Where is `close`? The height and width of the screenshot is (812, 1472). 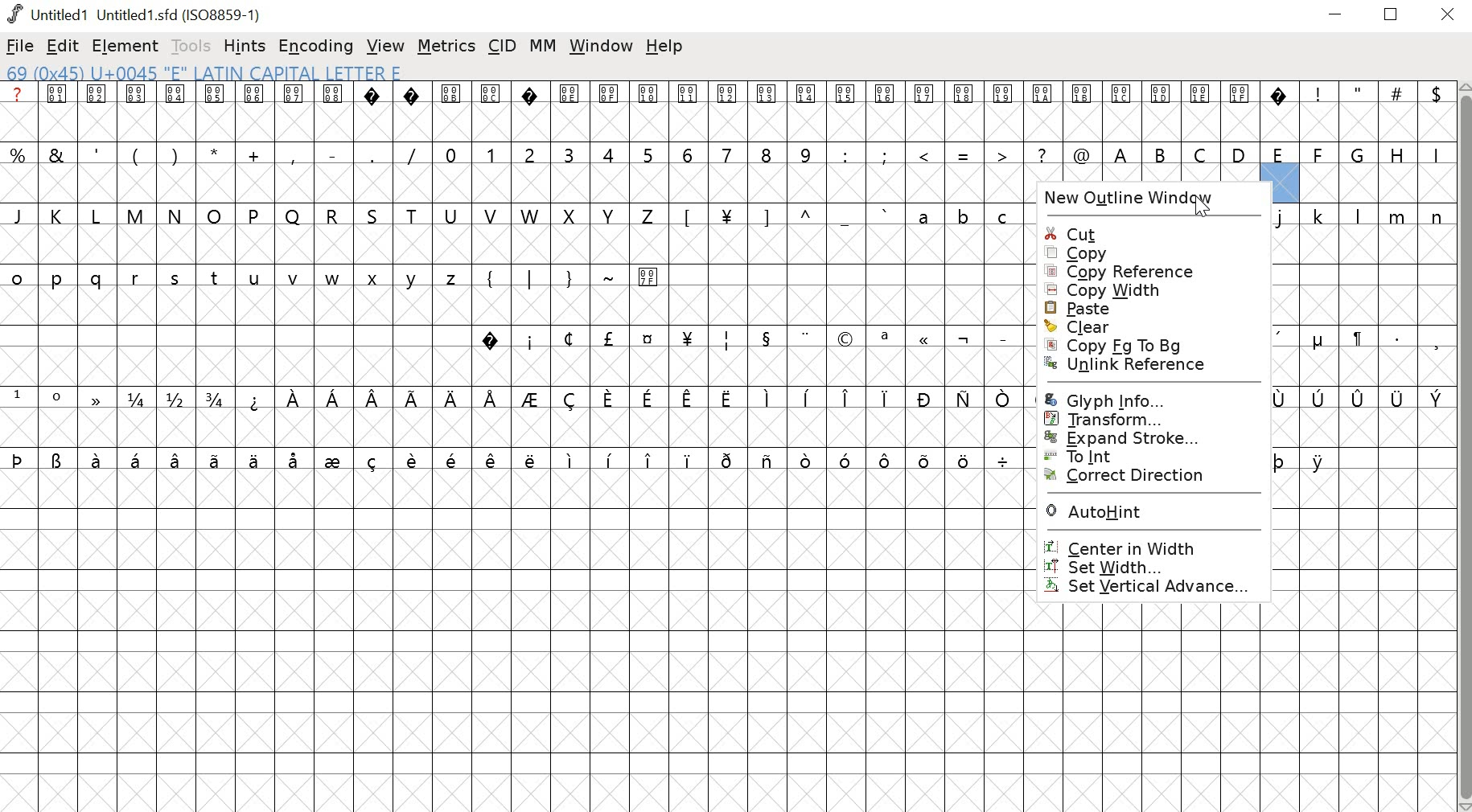
close is located at coordinates (1448, 15).